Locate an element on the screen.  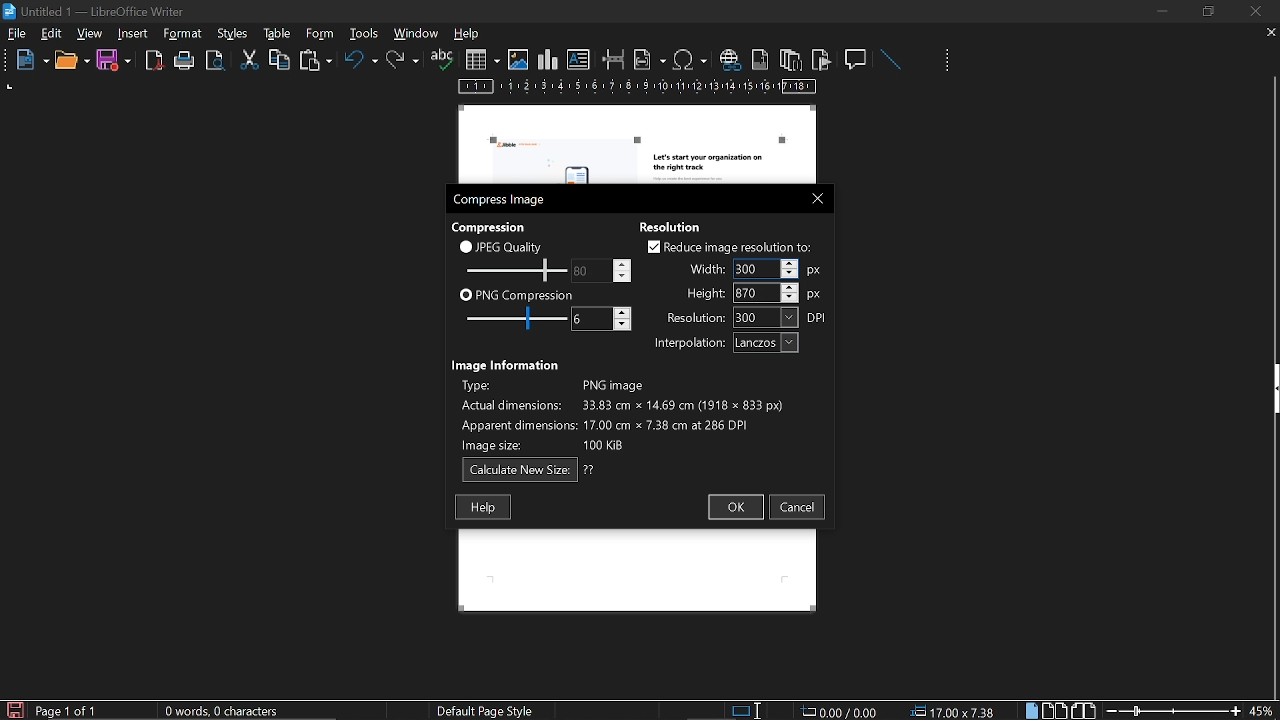
word count is located at coordinates (229, 711).